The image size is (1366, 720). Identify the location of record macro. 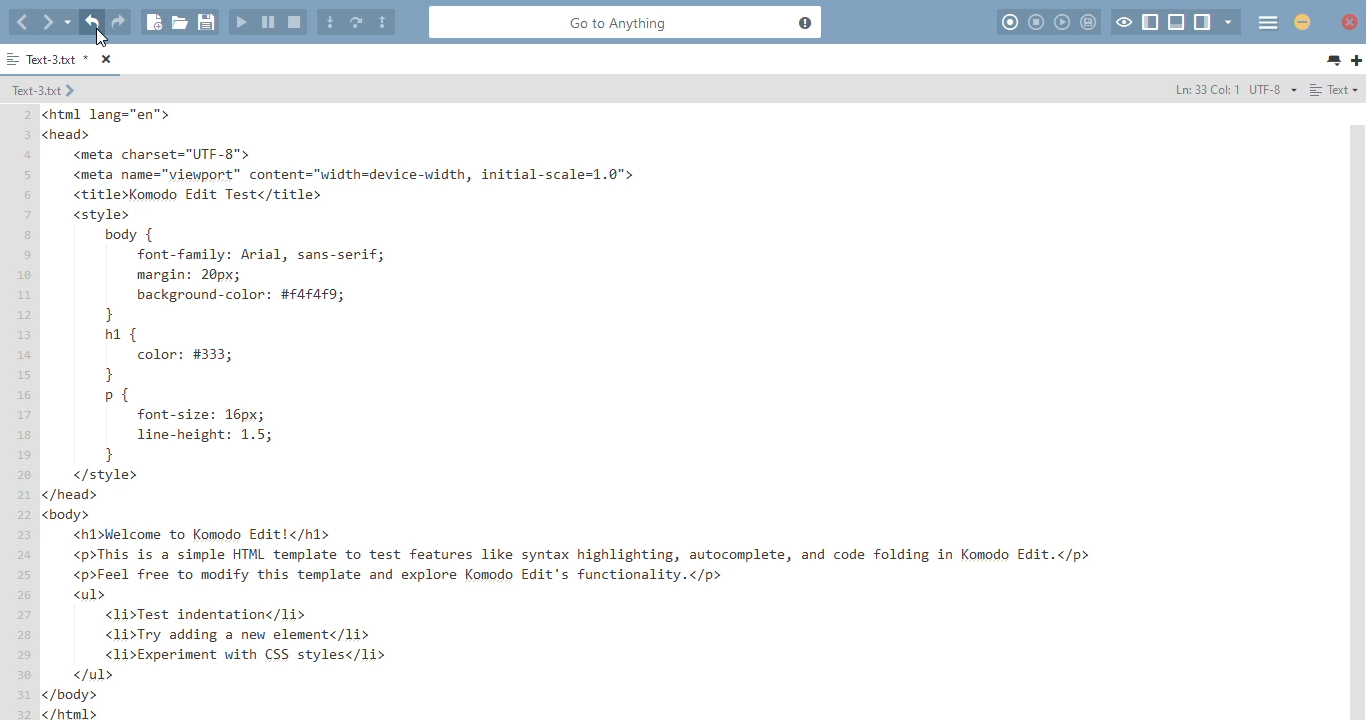
(1010, 22).